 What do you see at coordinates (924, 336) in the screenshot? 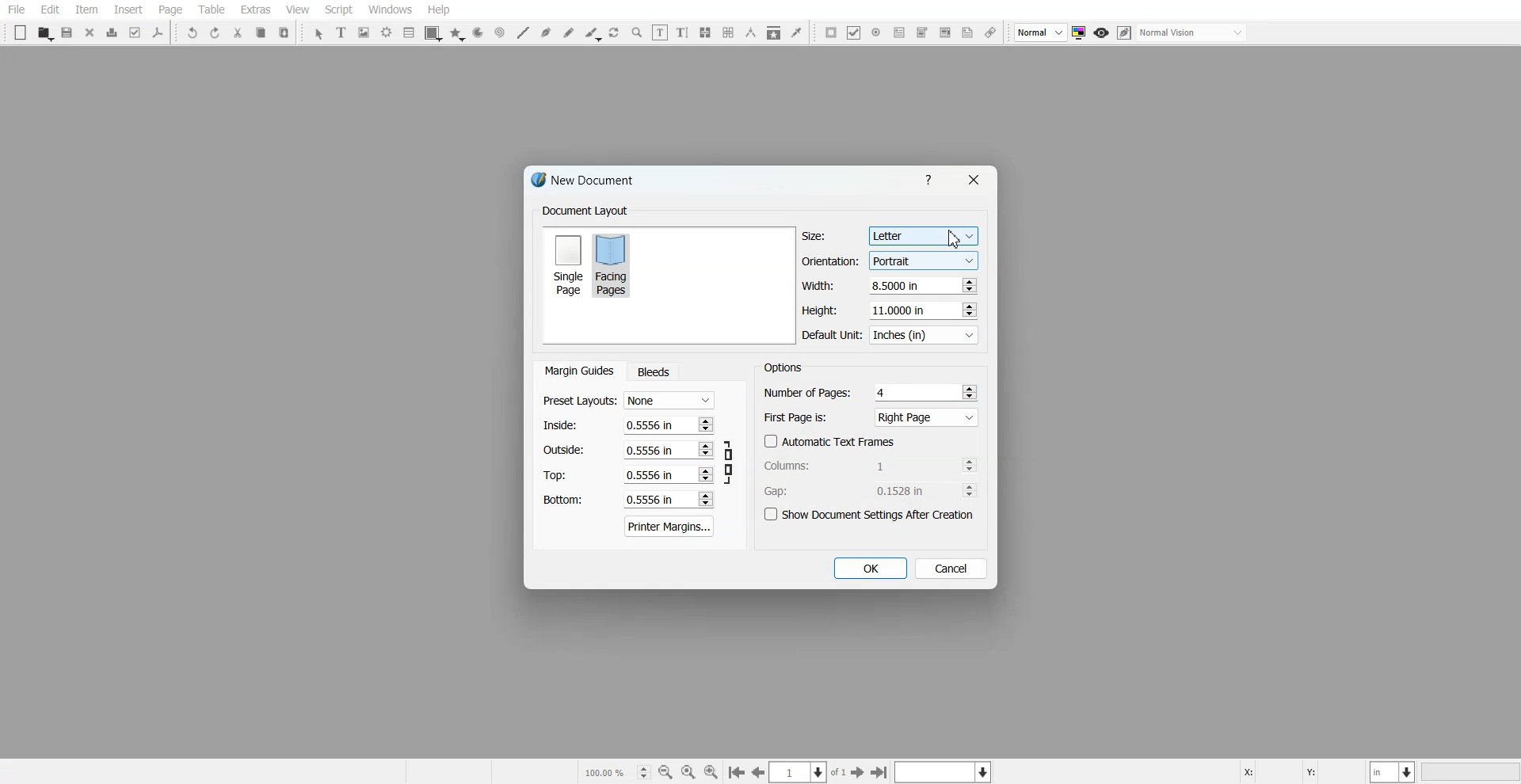
I see `Inches` at bounding box center [924, 336].